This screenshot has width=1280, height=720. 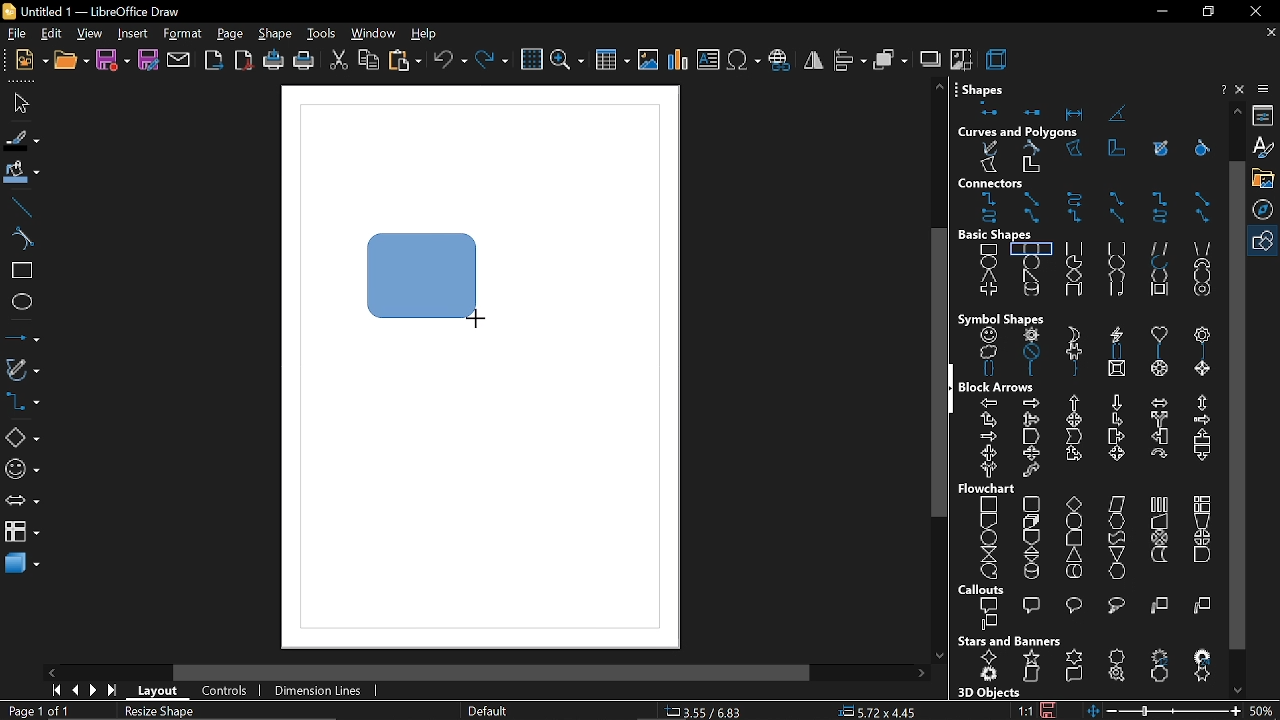 What do you see at coordinates (939, 86) in the screenshot?
I see `scroll up` at bounding box center [939, 86].